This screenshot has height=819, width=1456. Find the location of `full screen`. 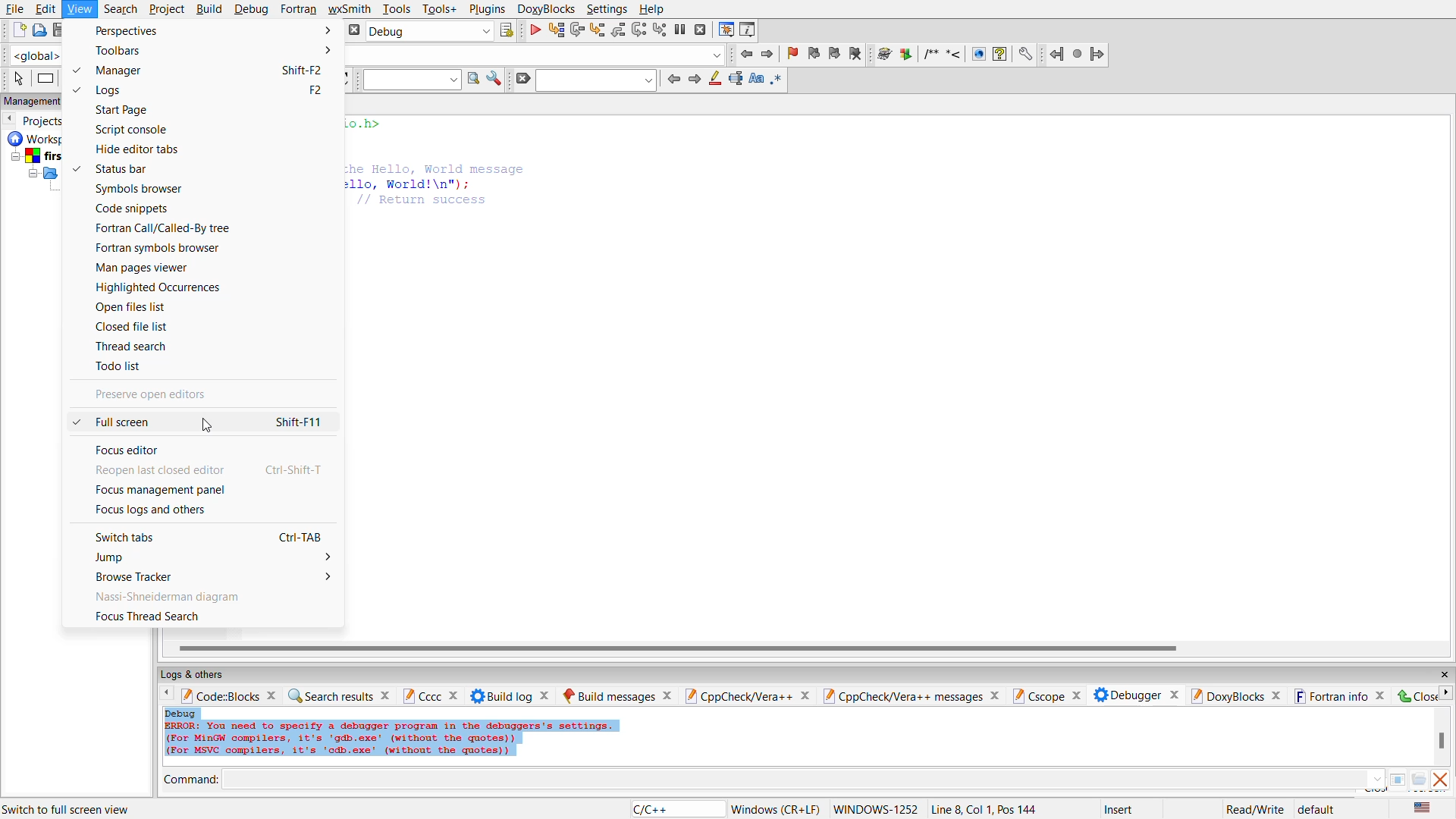

full screen is located at coordinates (215, 422).